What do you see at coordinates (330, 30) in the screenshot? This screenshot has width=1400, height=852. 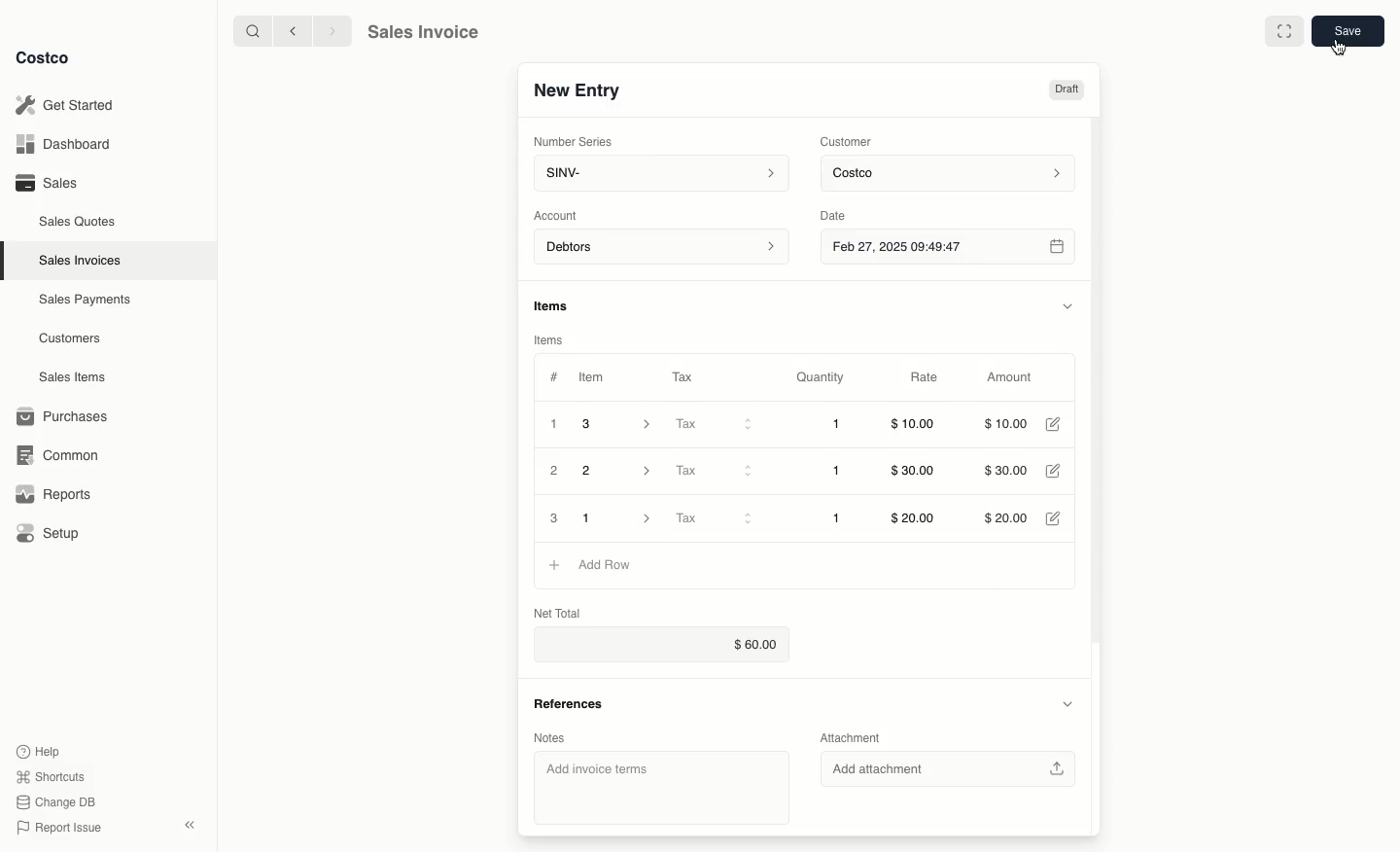 I see `forward` at bounding box center [330, 30].